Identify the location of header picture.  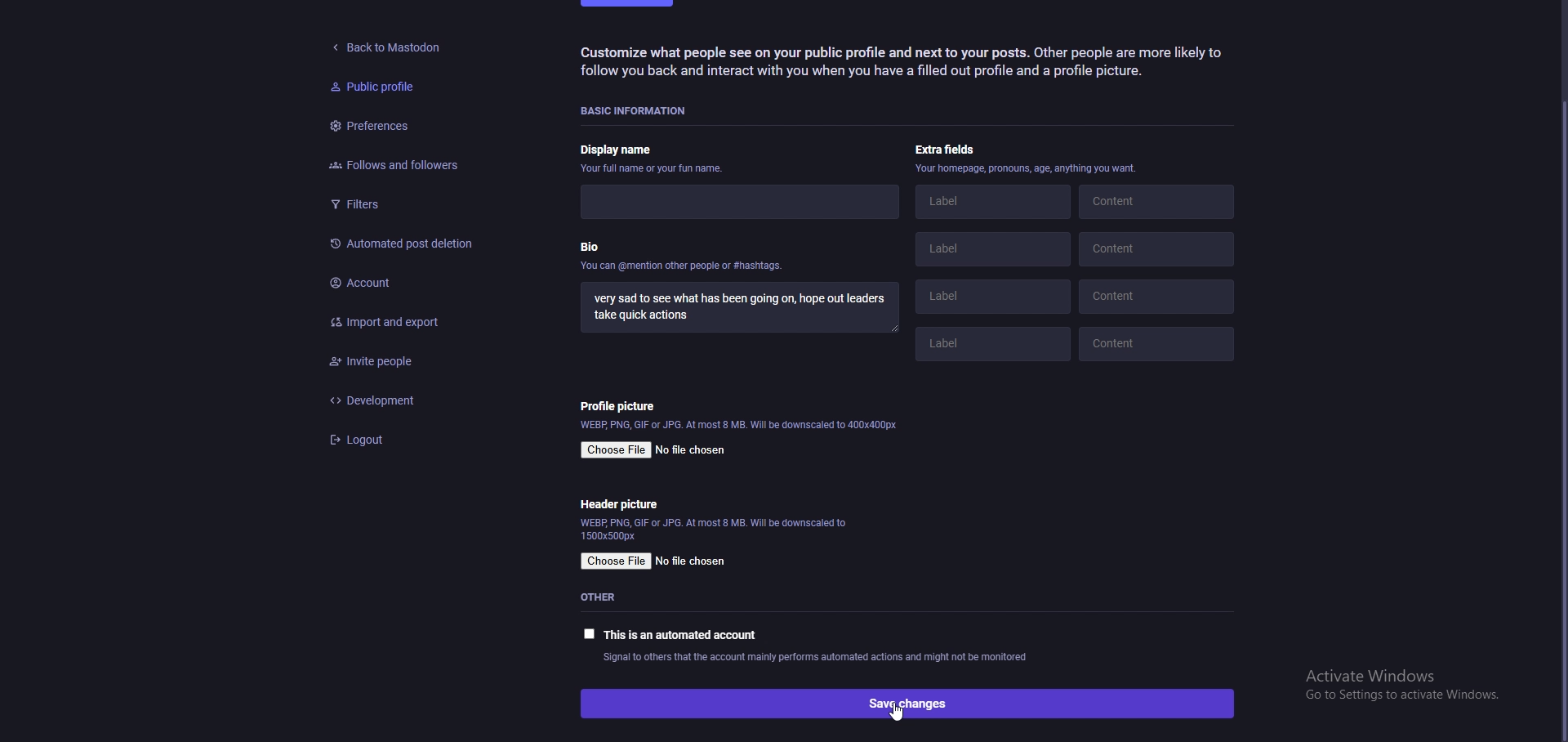
(621, 504).